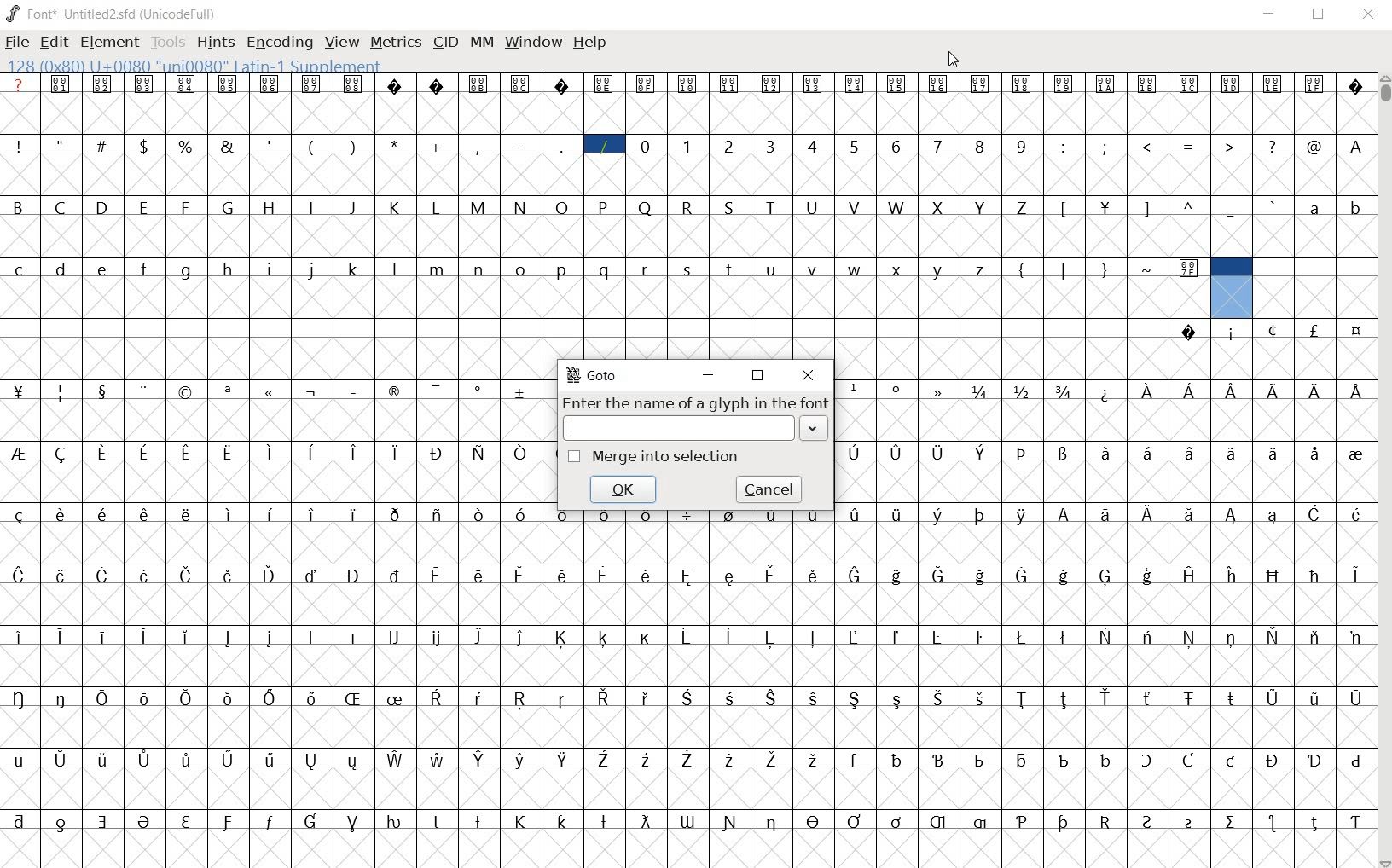 This screenshot has height=868, width=1392. I want to click on r, so click(647, 267).